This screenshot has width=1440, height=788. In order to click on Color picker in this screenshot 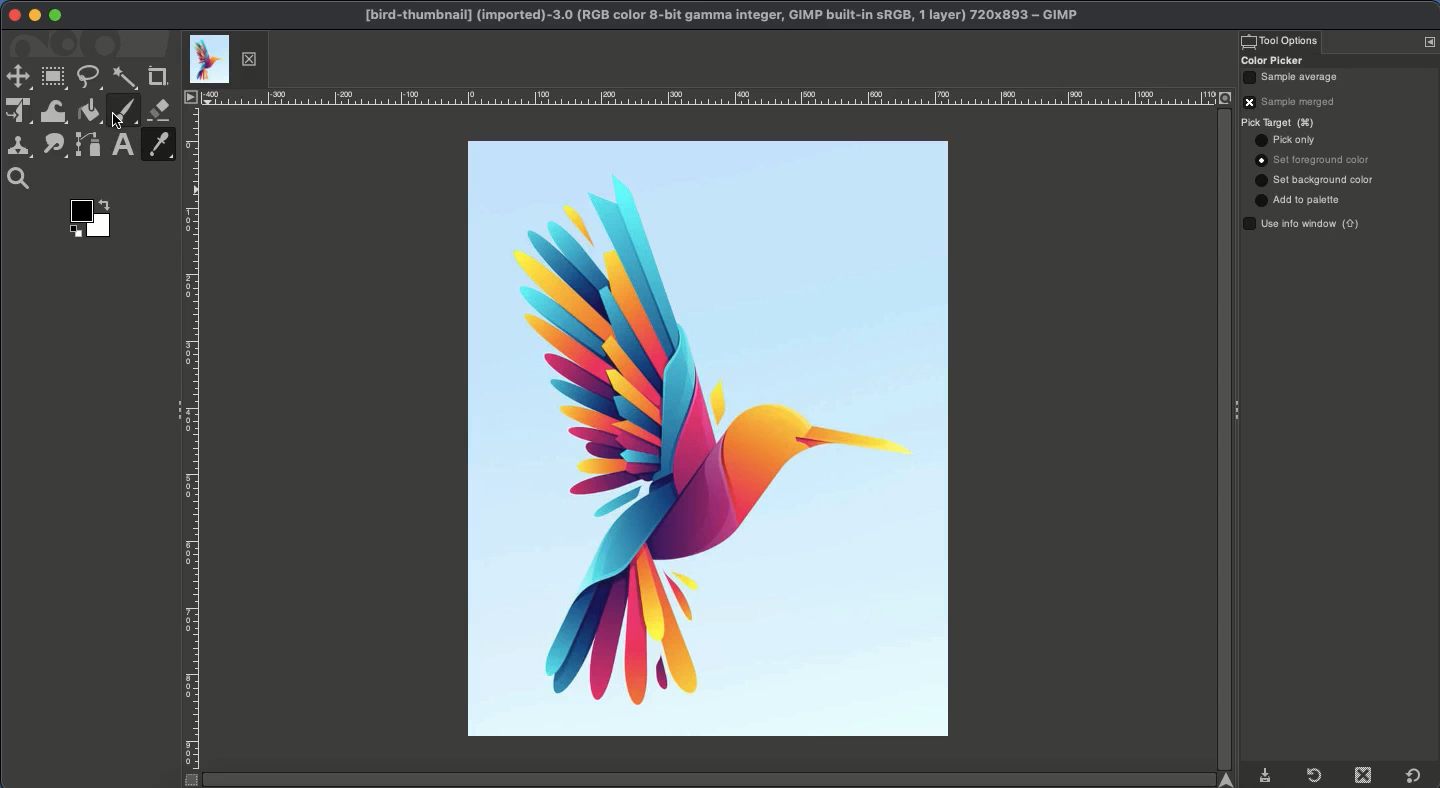, I will do `click(157, 145)`.